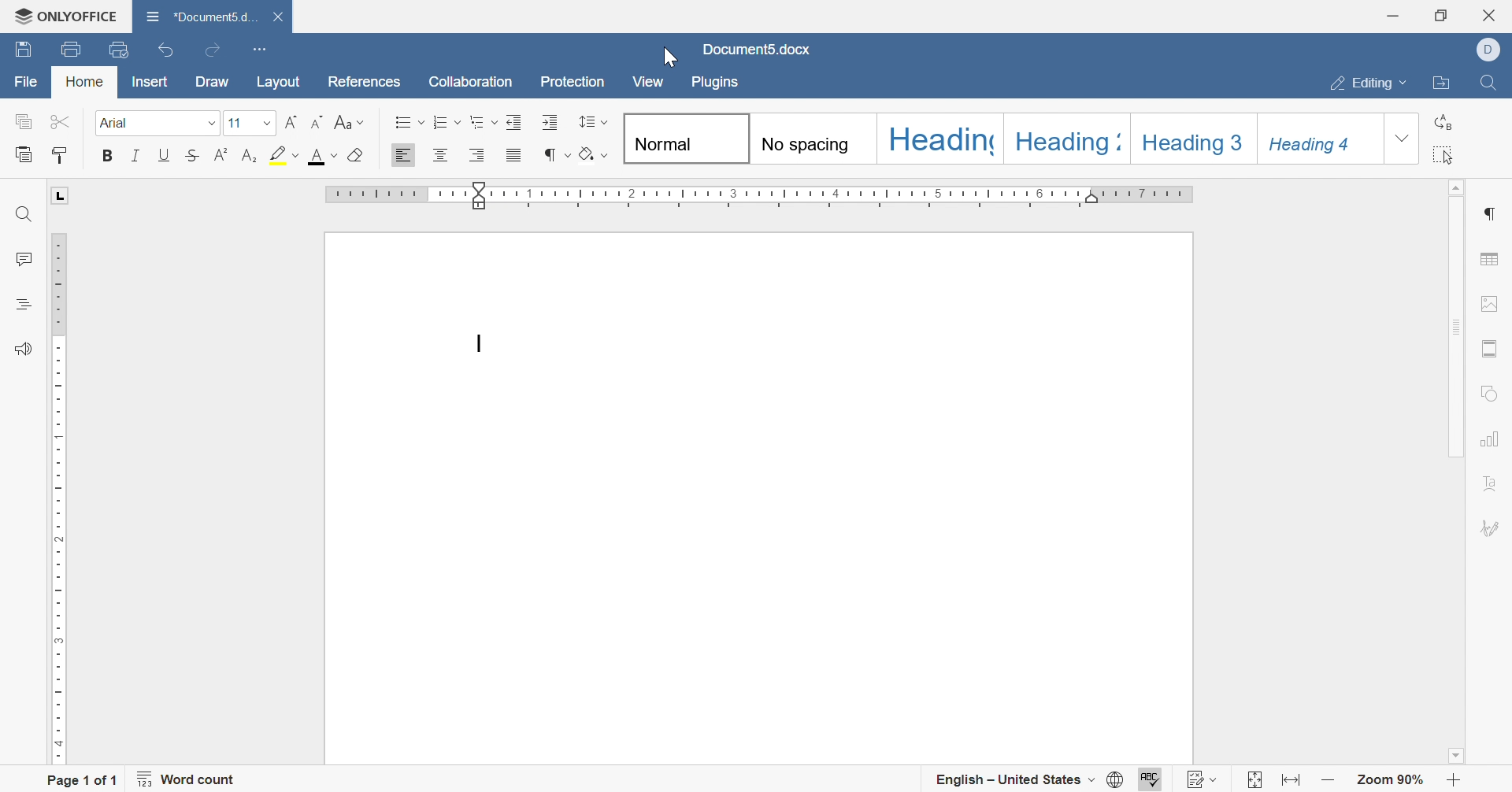 This screenshot has height=792, width=1512. Describe the element at coordinates (190, 779) in the screenshot. I see `word count` at that location.